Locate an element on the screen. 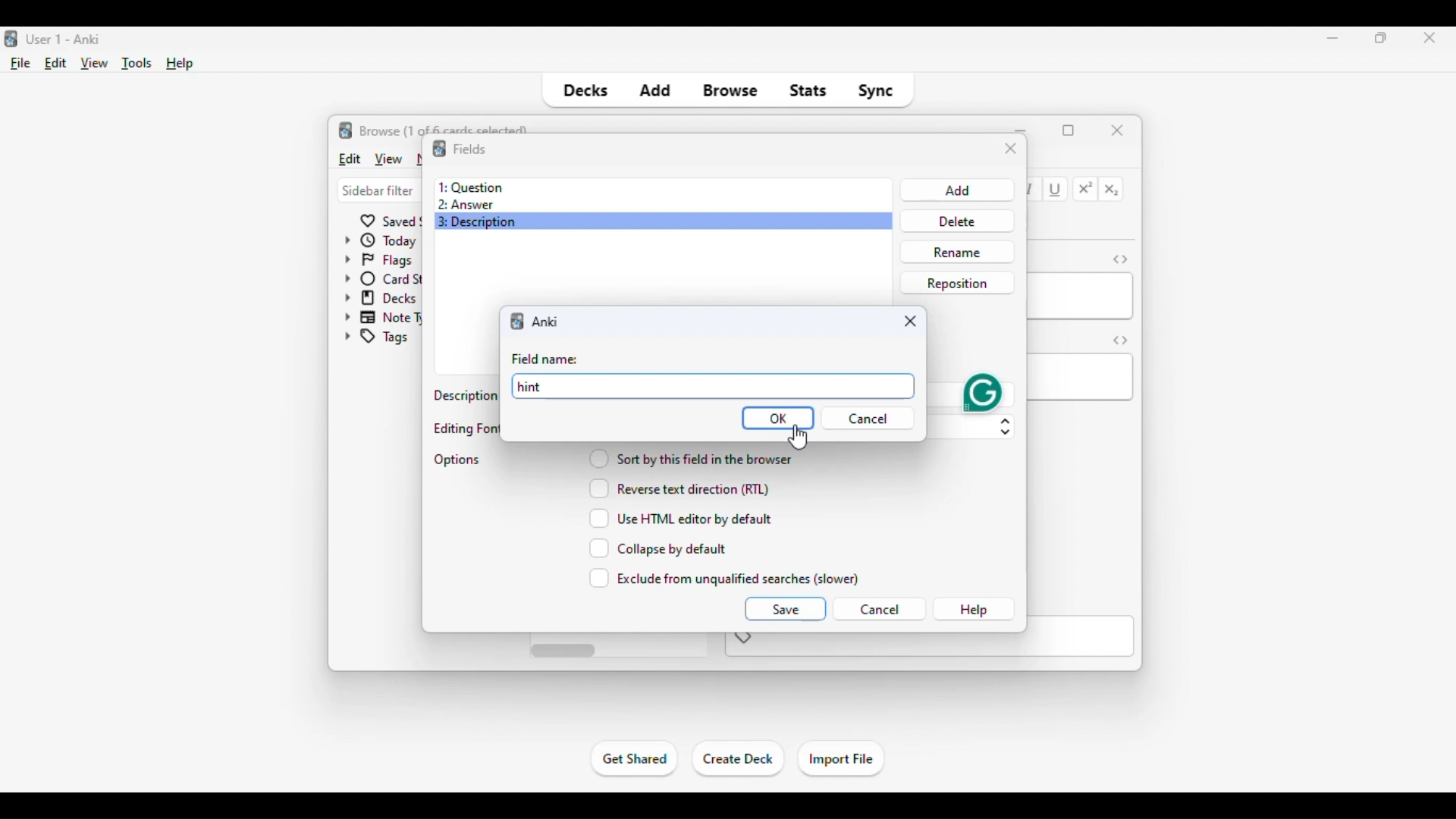 The height and width of the screenshot is (819, 1456). Add is located at coordinates (955, 190).